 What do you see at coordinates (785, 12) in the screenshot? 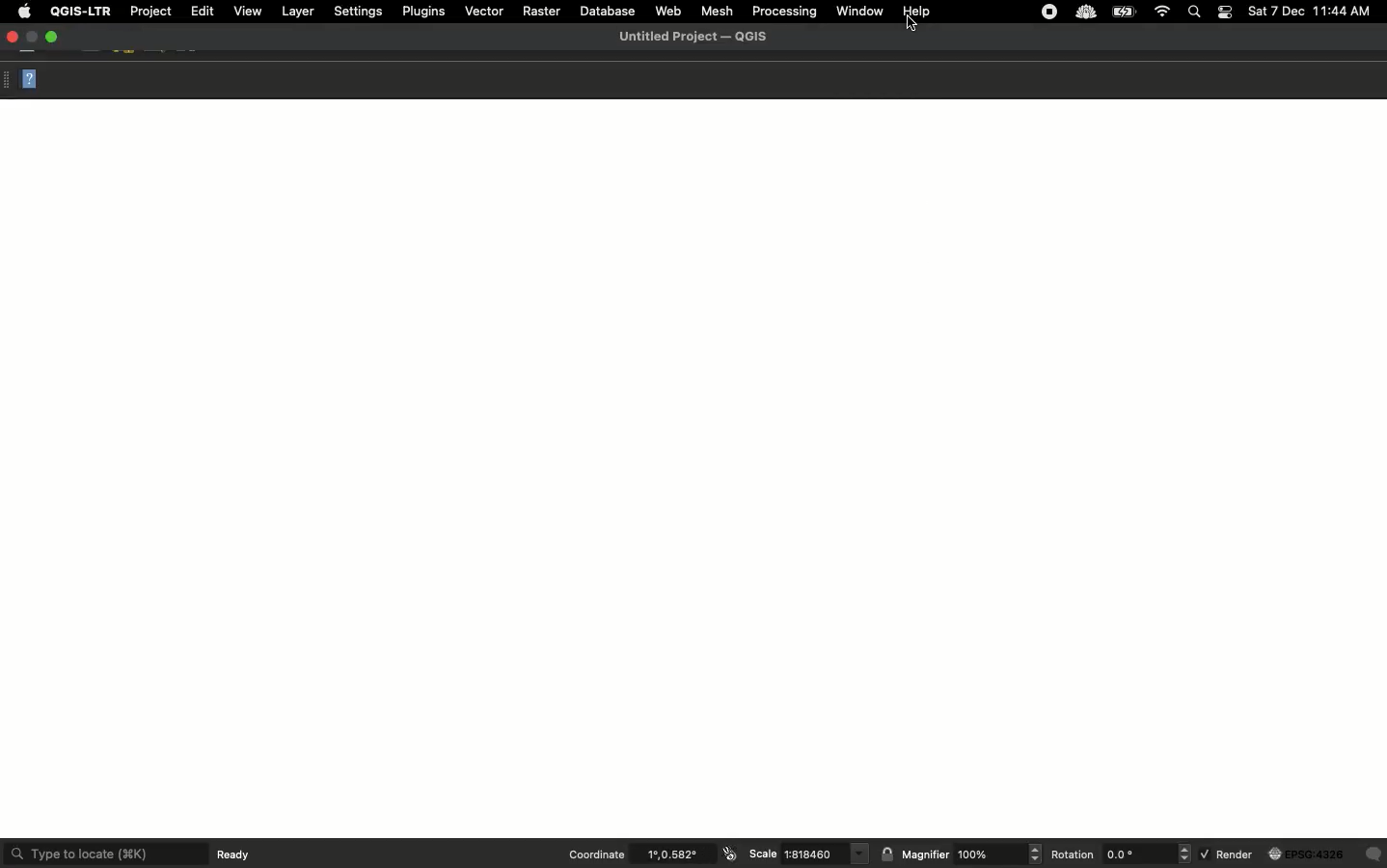
I see `Processing` at bounding box center [785, 12].